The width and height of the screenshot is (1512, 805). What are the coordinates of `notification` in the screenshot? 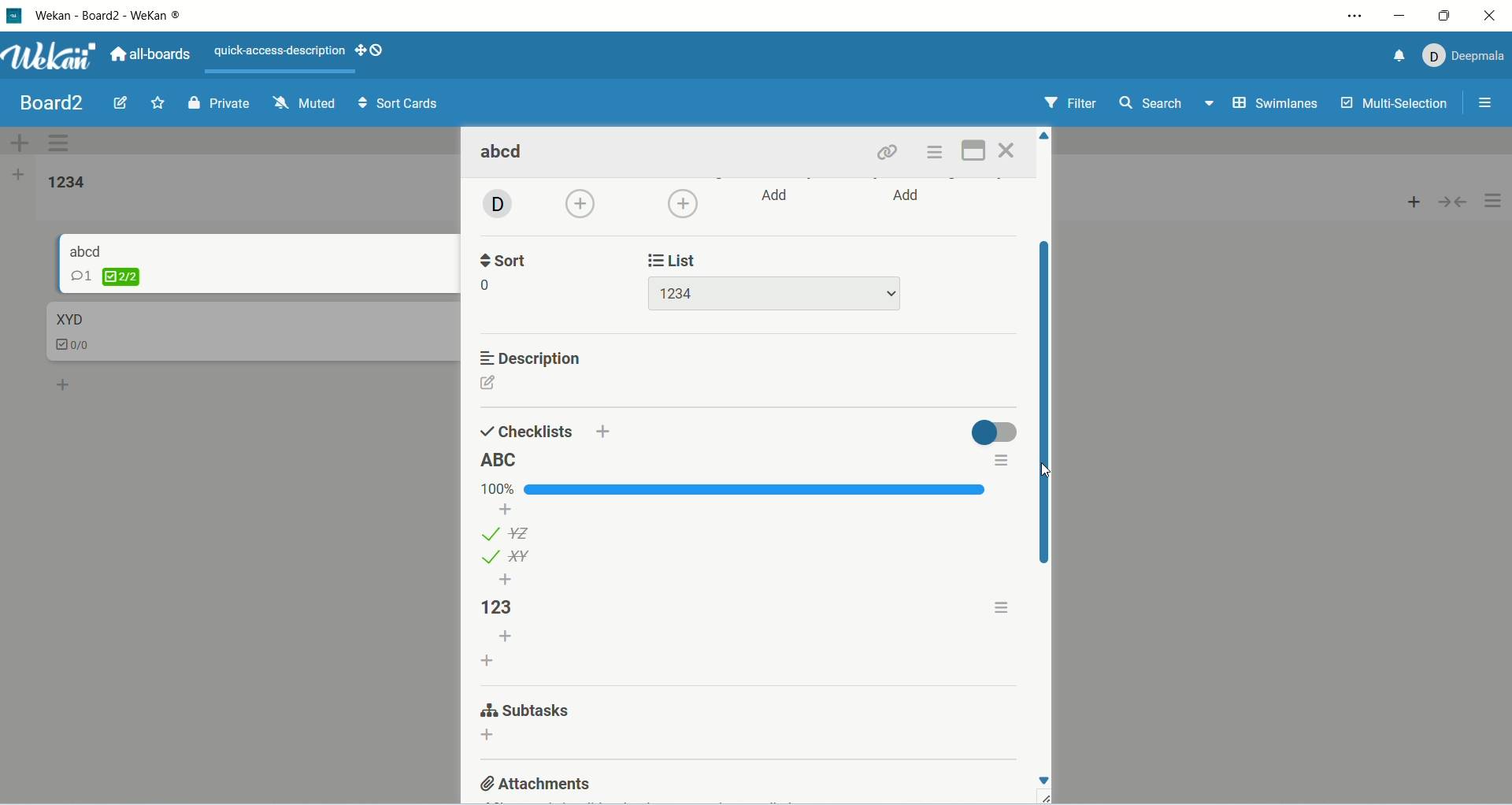 It's located at (1395, 58).